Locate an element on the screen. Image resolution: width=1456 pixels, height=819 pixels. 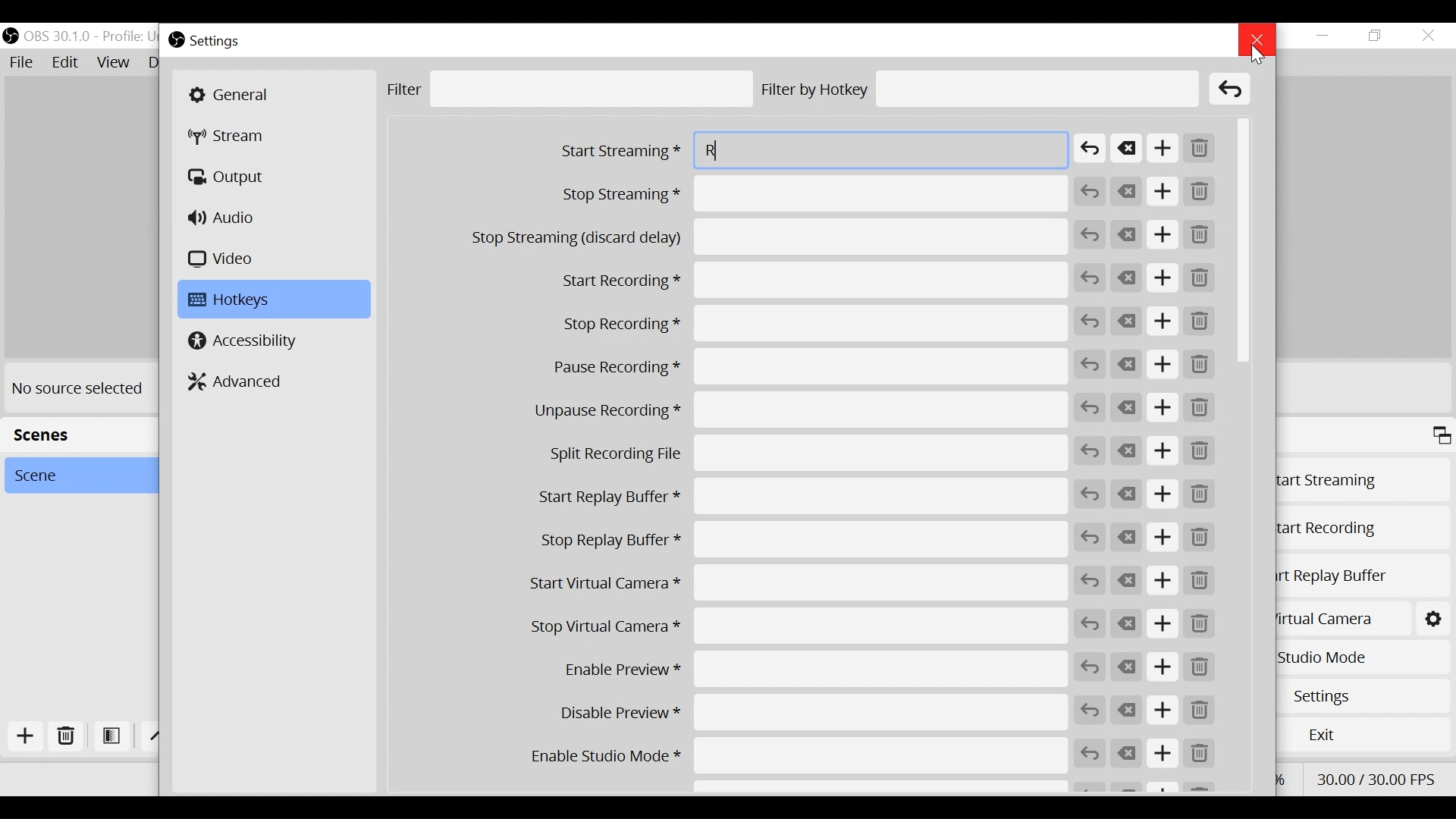
Disable Preview is located at coordinates (799, 714).